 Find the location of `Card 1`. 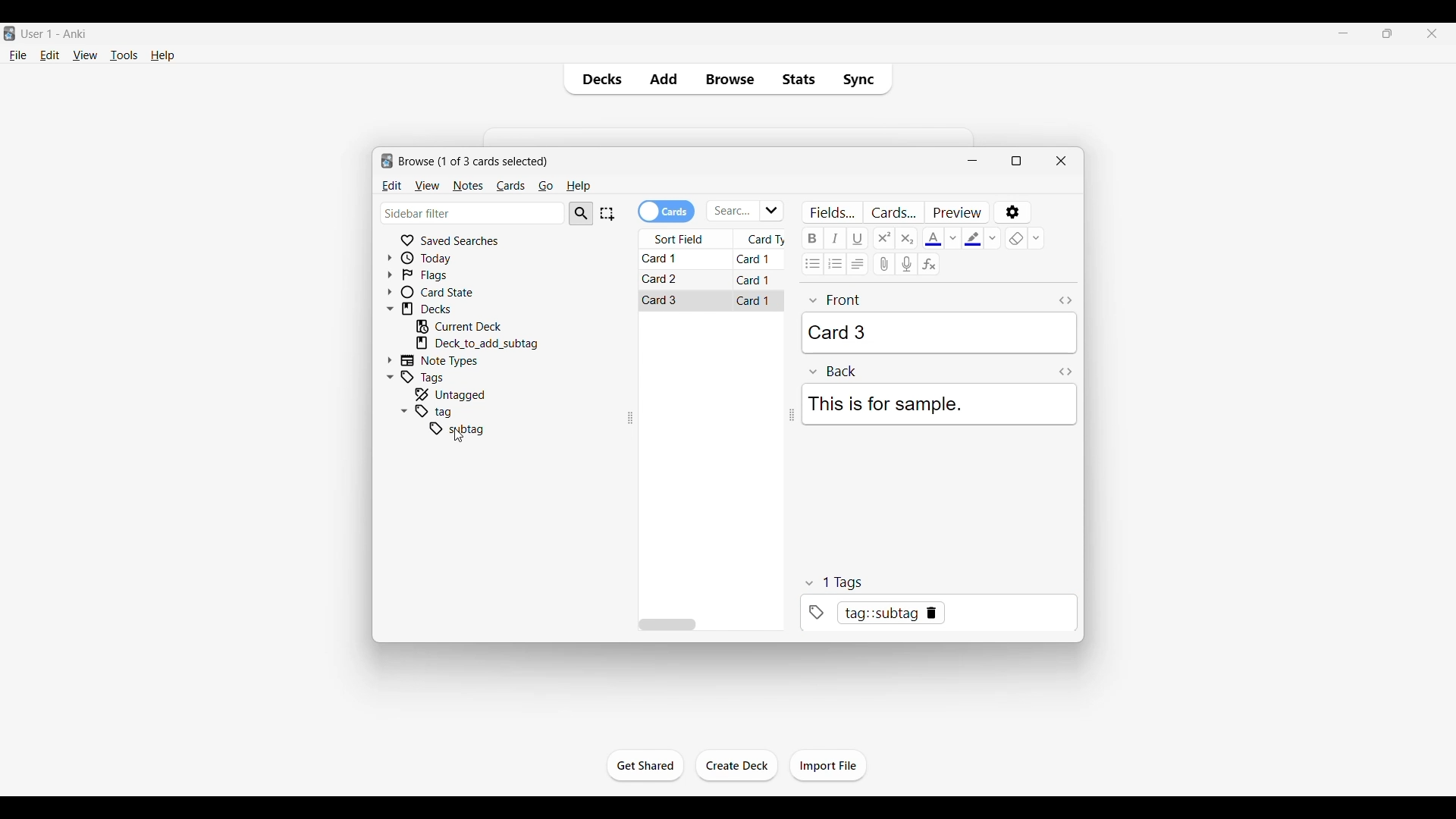

Card 1 is located at coordinates (754, 300).